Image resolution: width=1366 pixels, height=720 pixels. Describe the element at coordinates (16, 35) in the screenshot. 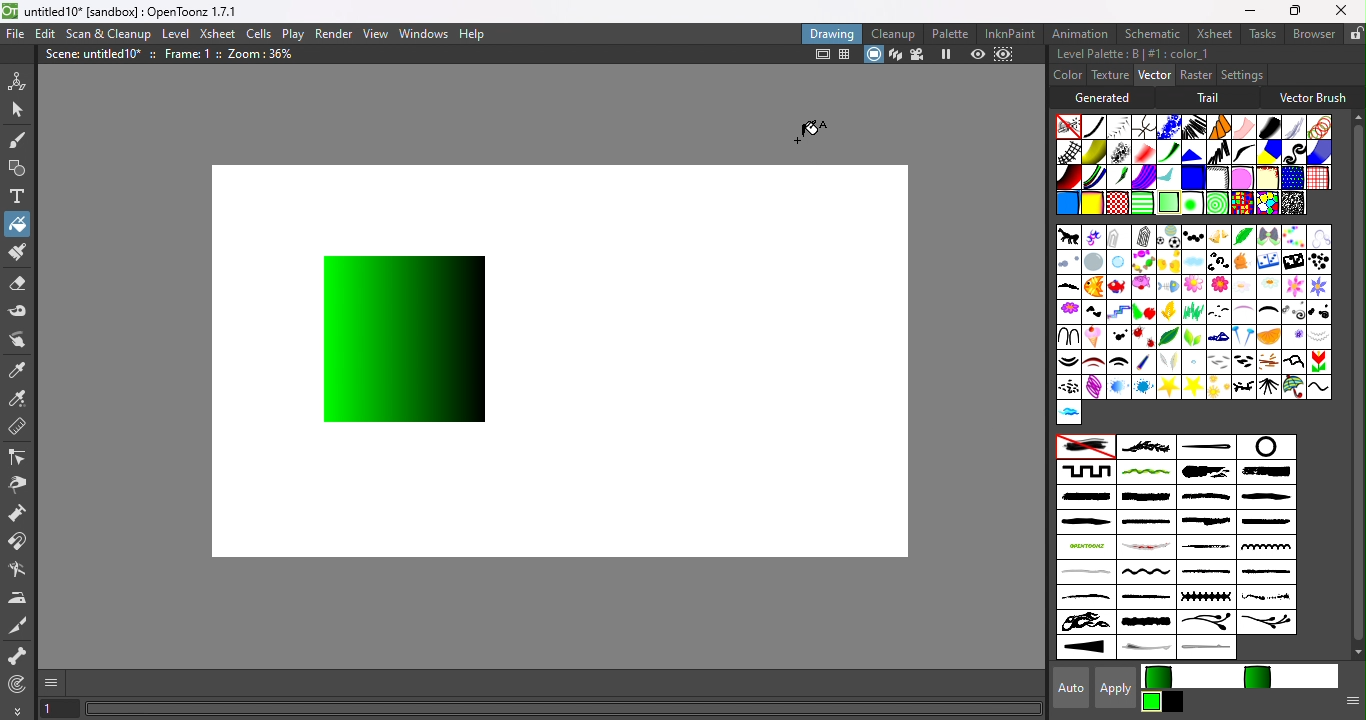

I see `File` at that location.